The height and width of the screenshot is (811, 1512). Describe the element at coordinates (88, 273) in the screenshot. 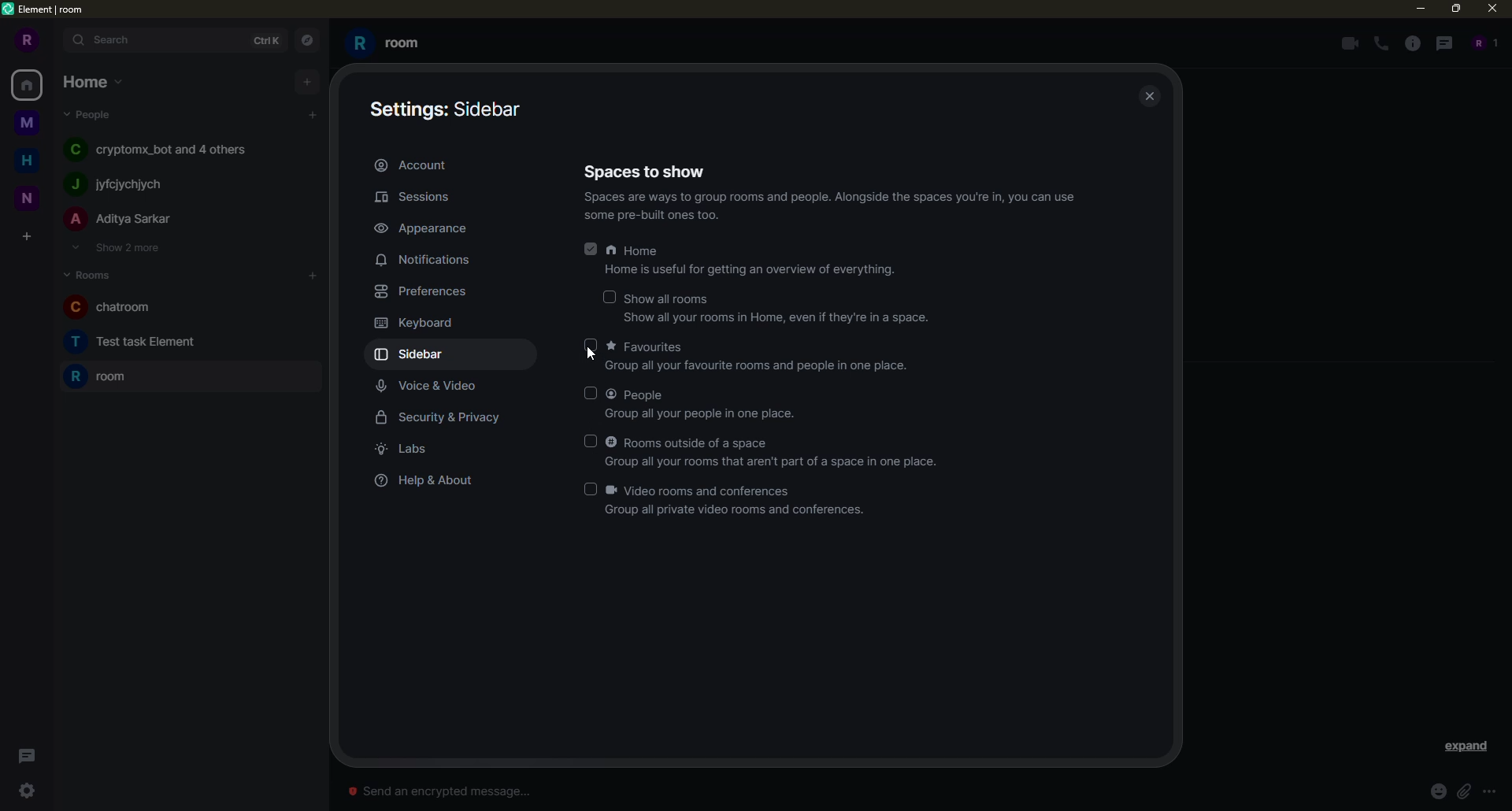

I see `rooms` at that location.